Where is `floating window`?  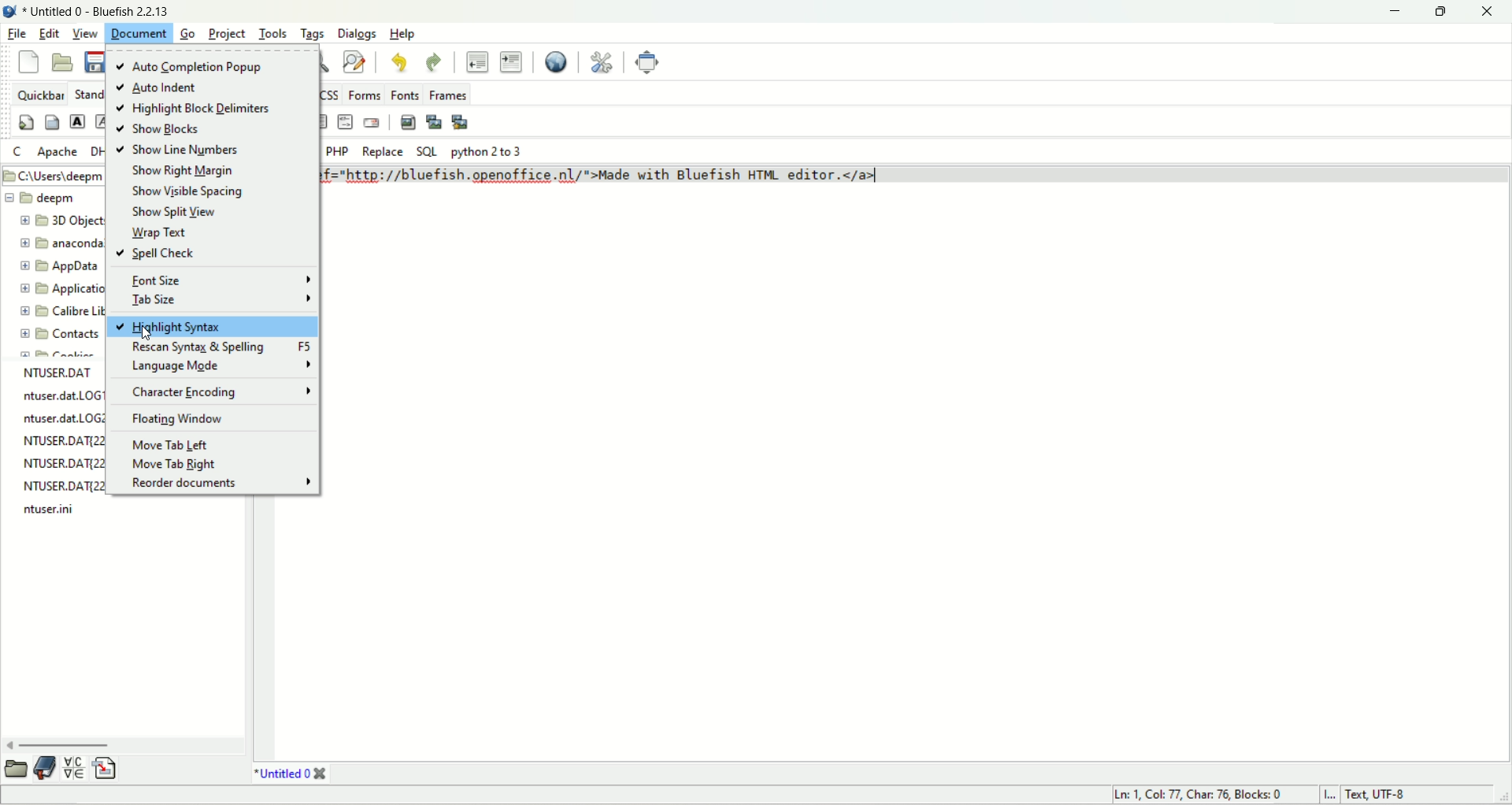 floating window is located at coordinates (177, 419).